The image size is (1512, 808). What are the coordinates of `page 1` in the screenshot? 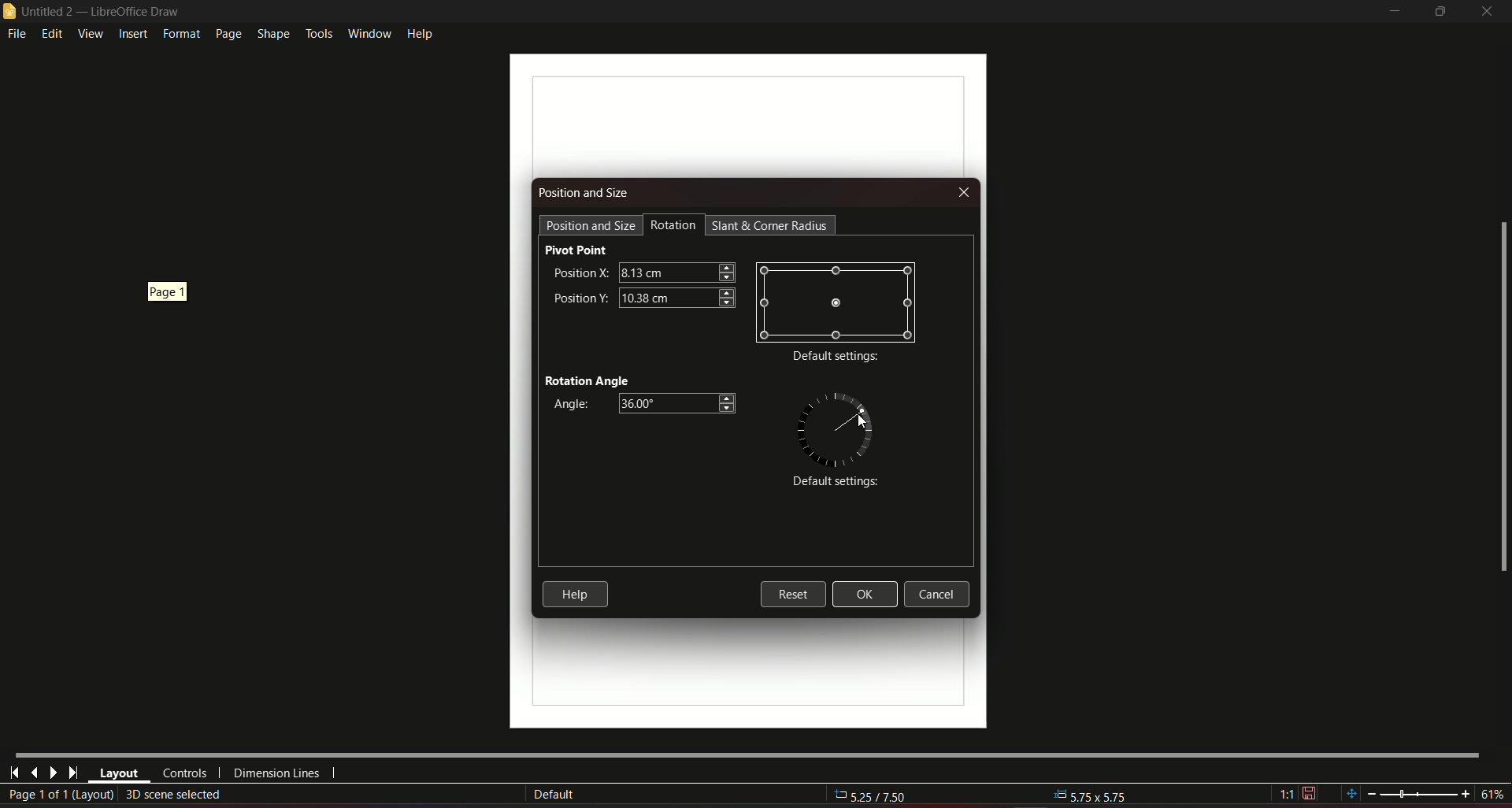 It's located at (161, 291).